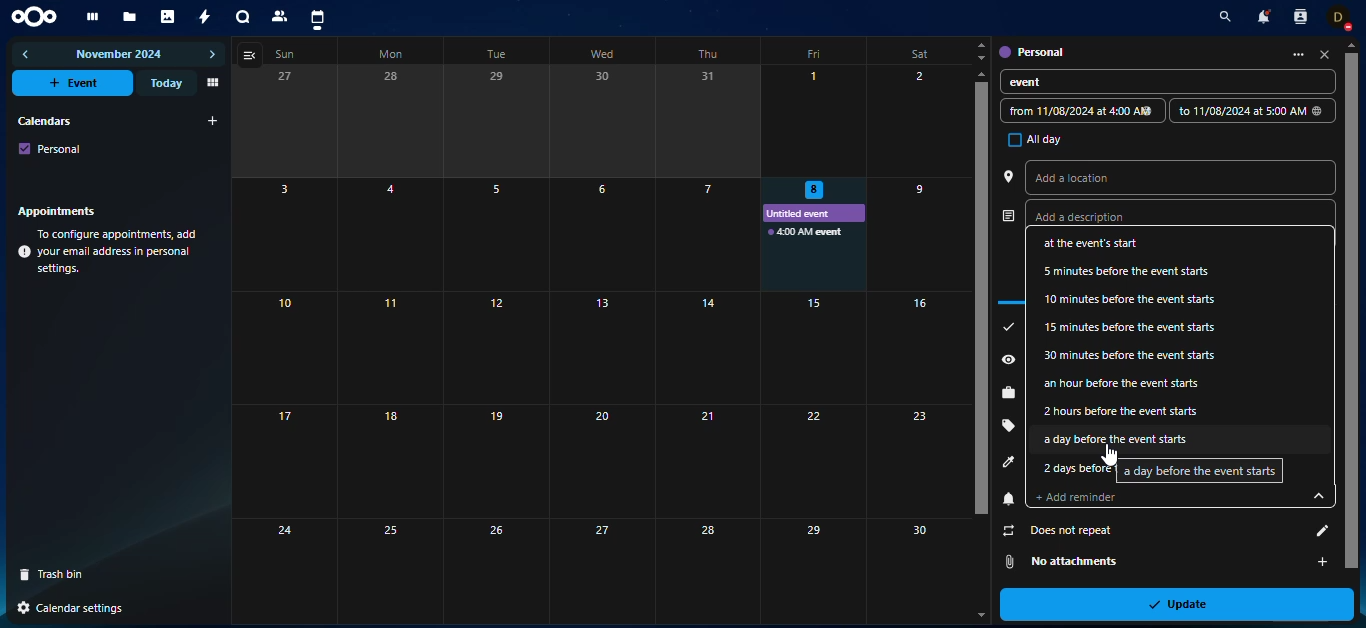  What do you see at coordinates (120, 56) in the screenshot?
I see `november` at bounding box center [120, 56].